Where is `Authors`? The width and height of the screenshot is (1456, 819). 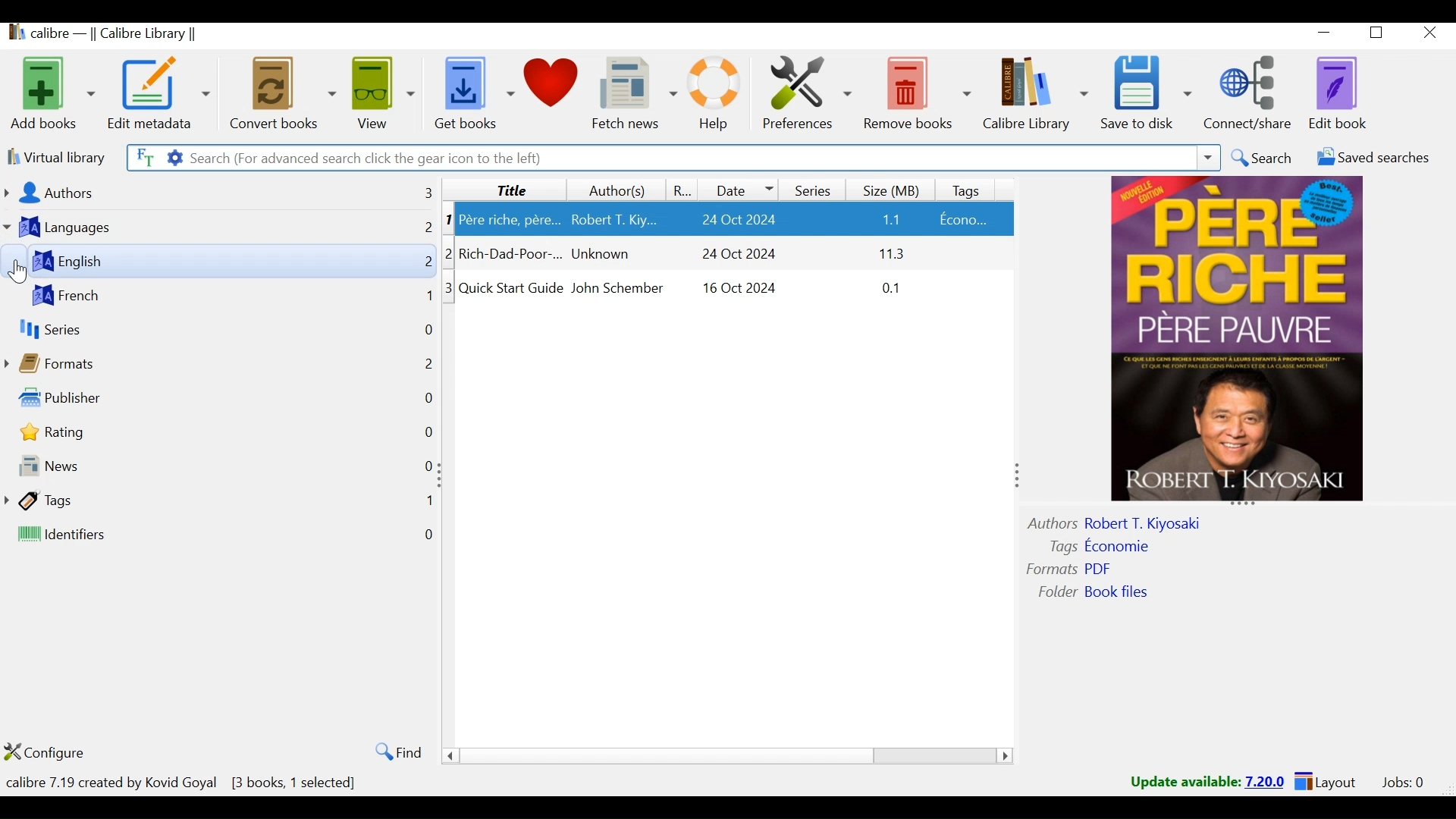 Authors is located at coordinates (615, 190).